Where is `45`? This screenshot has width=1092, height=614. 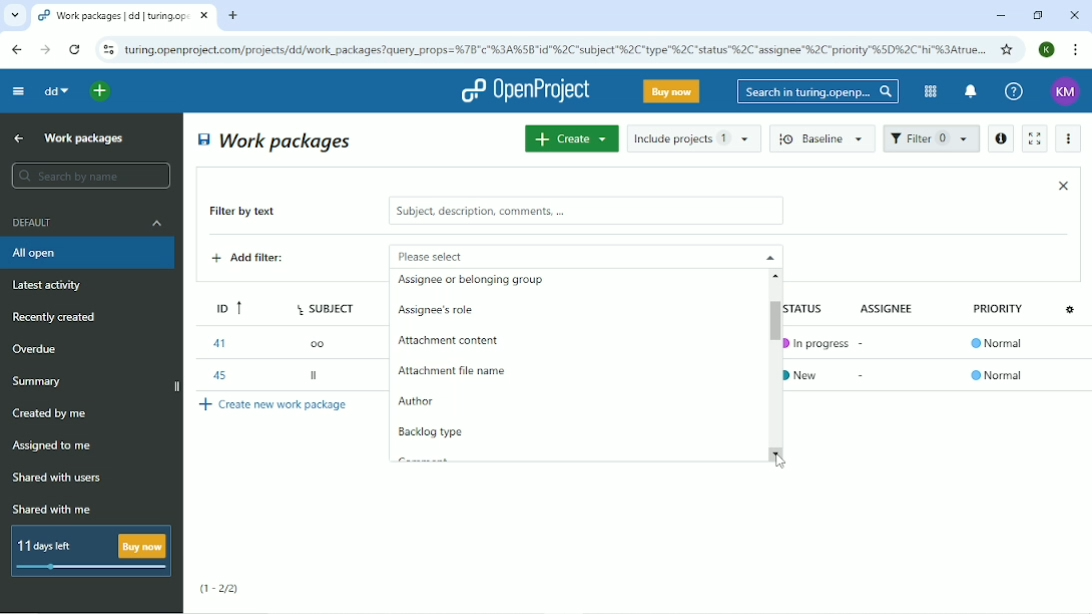
45 is located at coordinates (217, 373).